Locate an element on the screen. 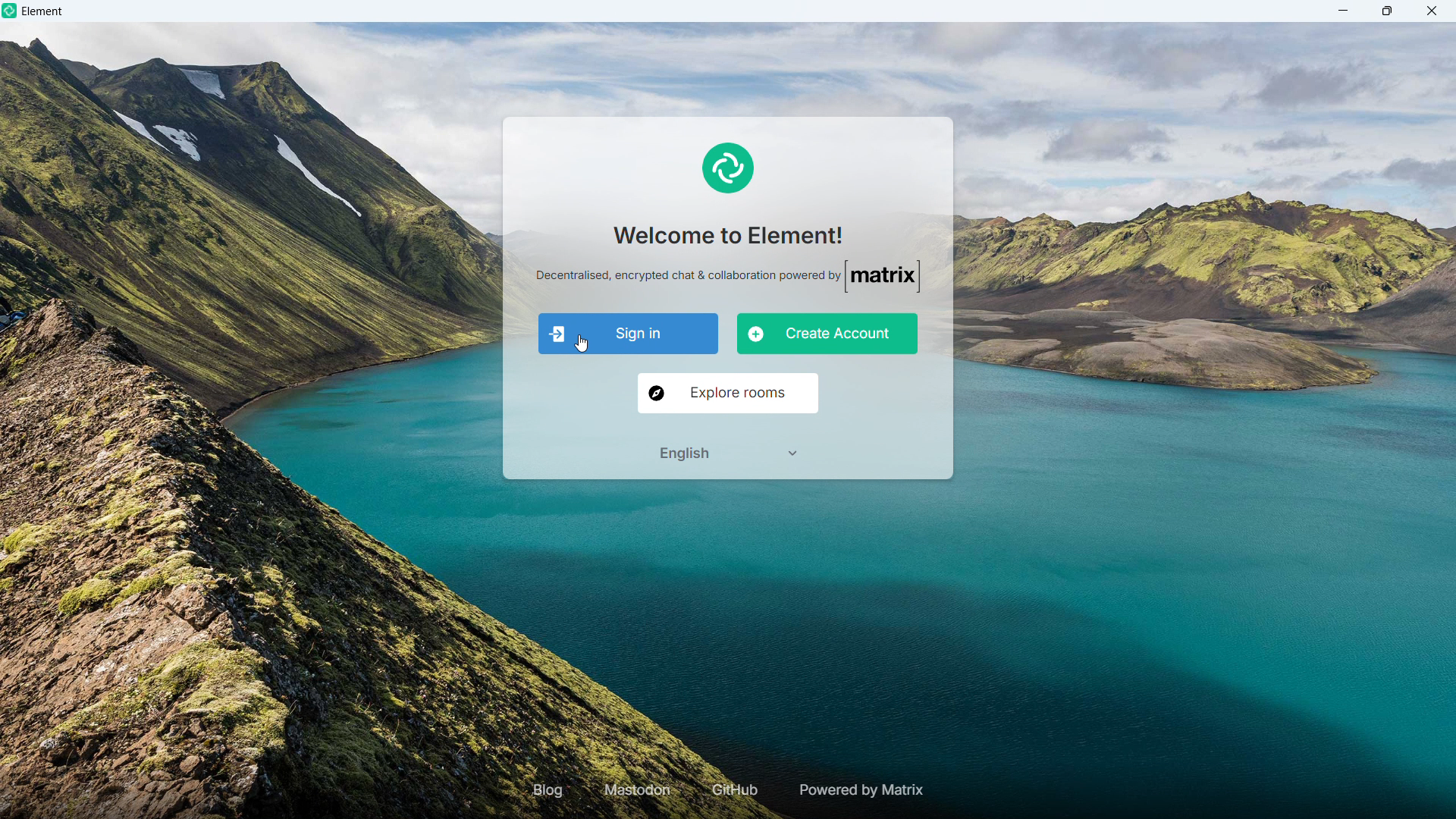 This screenshot has height=819, width=1456. Mastodon  is located at coordinates (639, 790).